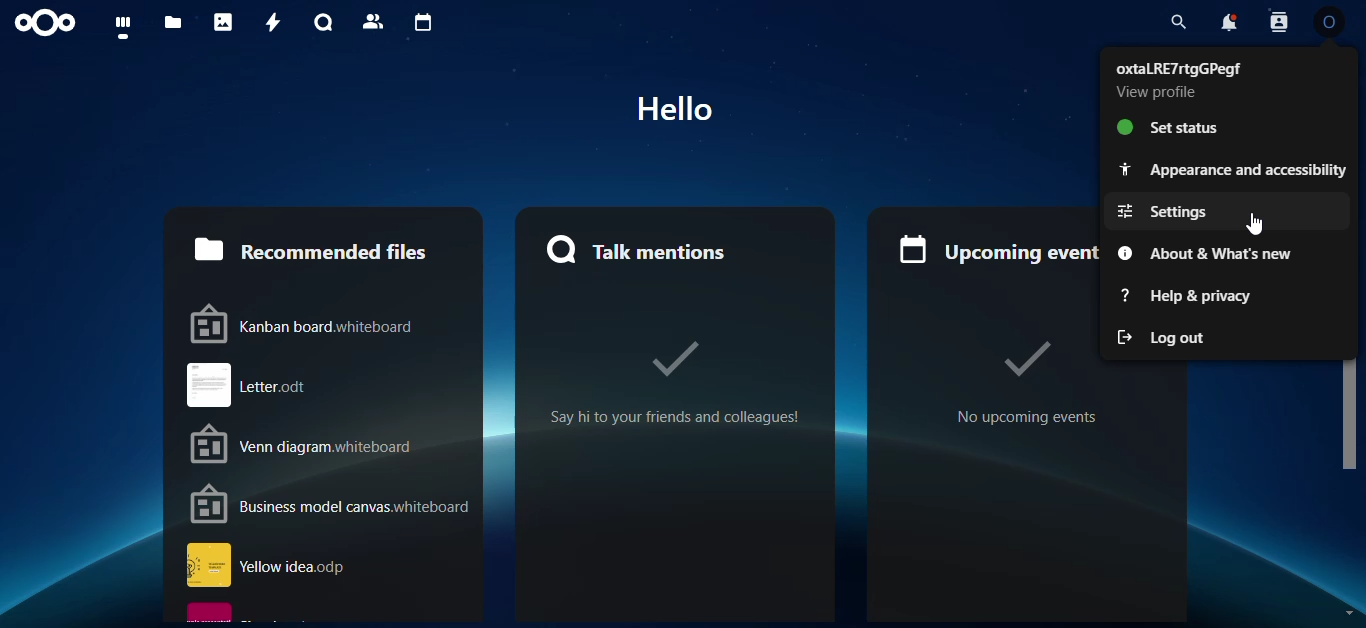 The height and width of the screenshot is (628, 1366). Describe the element at coordinates (1028, 417) in the screenshot. I see `no upcoming events` at that location.